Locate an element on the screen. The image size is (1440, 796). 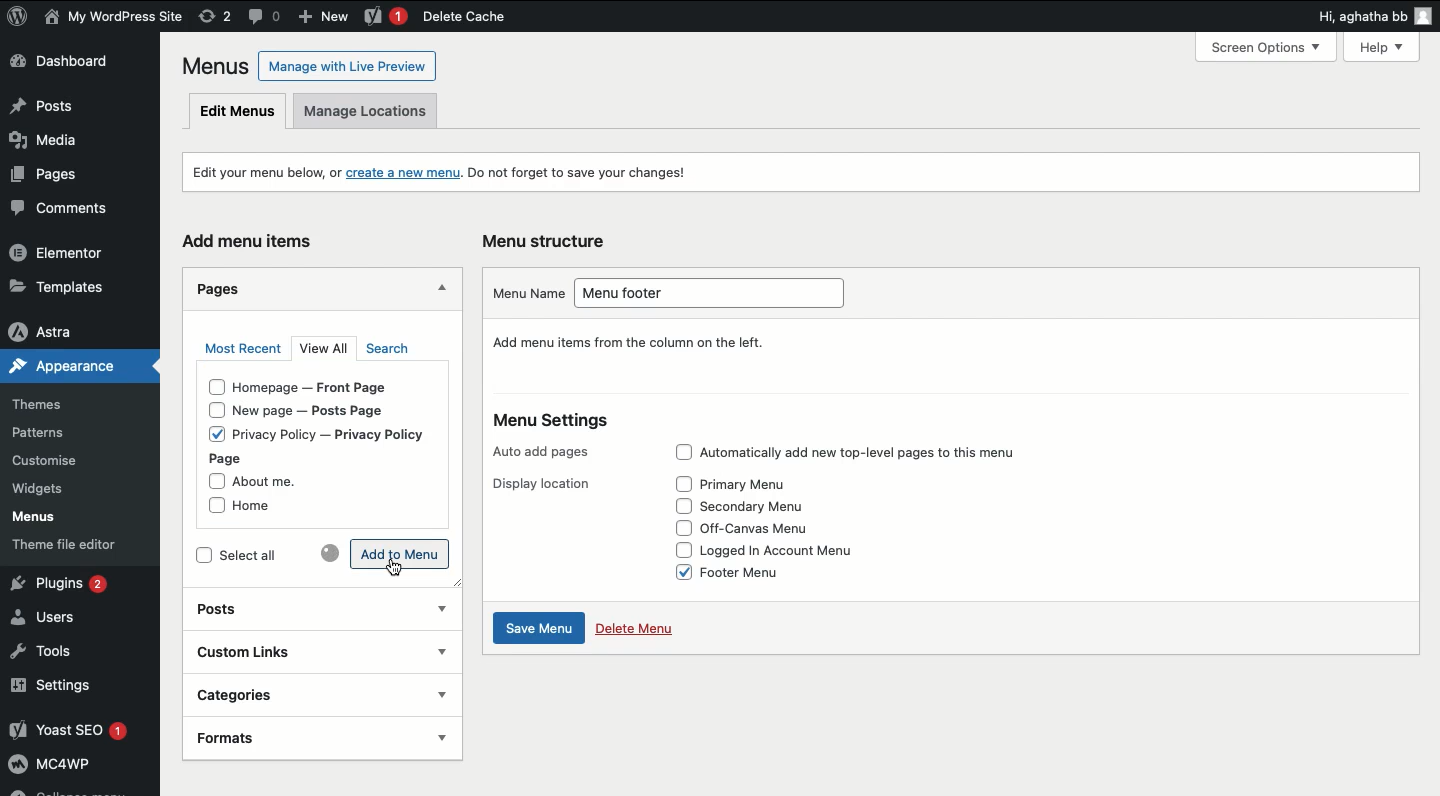
Posts is located at coordinates (74, 107).